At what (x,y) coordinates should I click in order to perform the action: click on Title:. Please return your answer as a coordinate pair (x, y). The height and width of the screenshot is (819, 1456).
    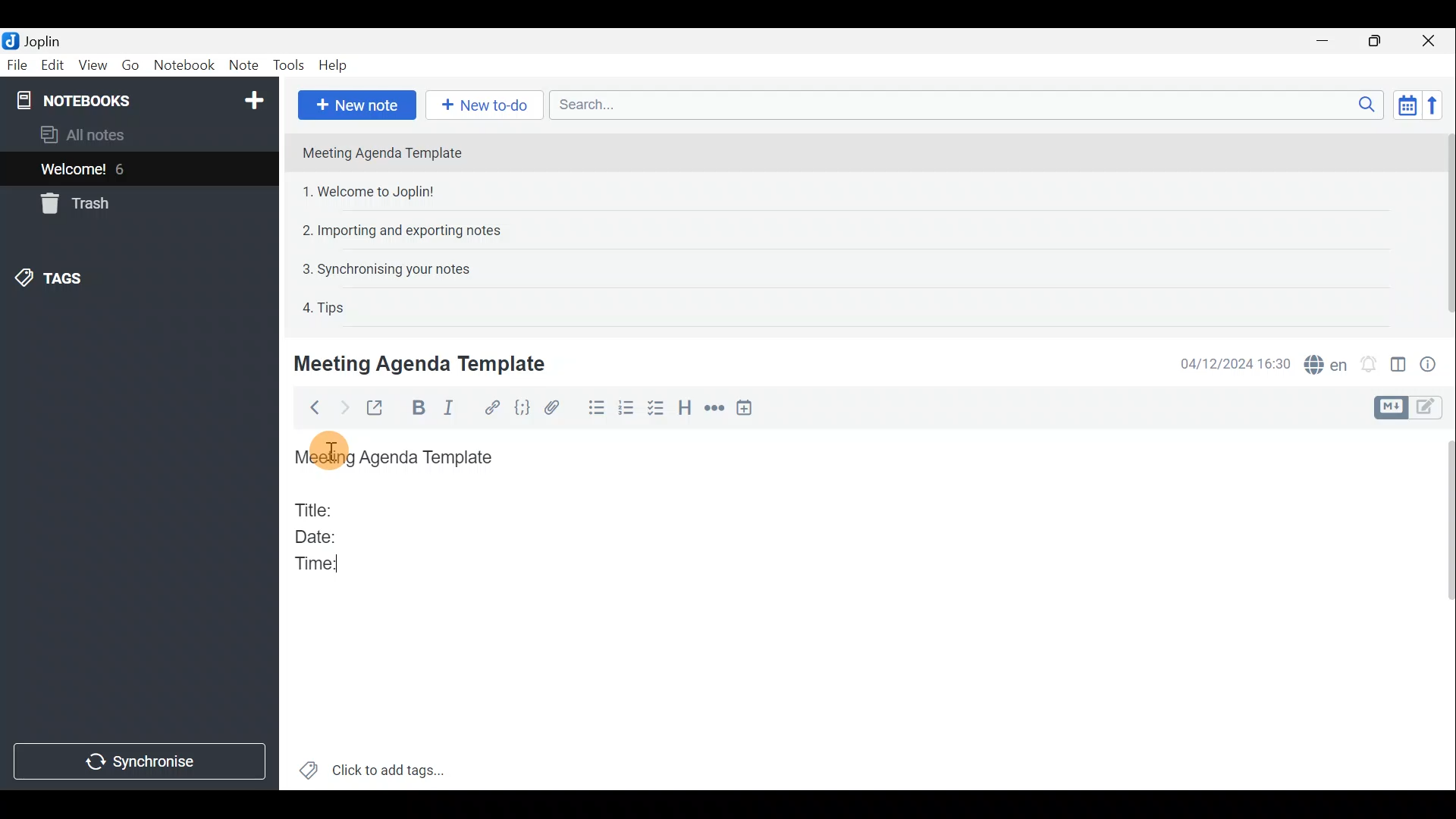
    Looking at the image, I should click on (316, 507).